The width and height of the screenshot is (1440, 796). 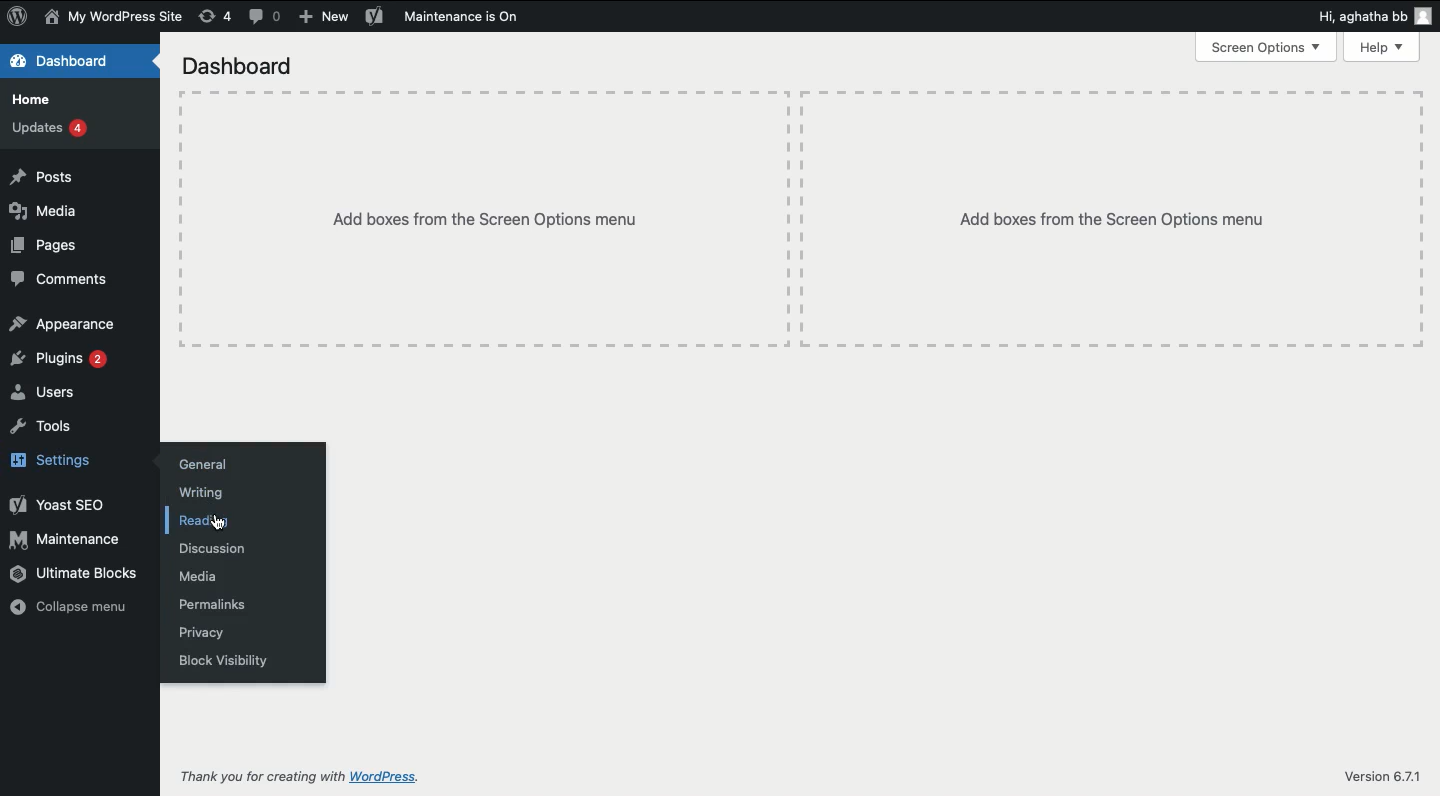 What do you see at coordinates (196, 493) in the screenshot?
I see `writing` at bounding box center [196, 493].